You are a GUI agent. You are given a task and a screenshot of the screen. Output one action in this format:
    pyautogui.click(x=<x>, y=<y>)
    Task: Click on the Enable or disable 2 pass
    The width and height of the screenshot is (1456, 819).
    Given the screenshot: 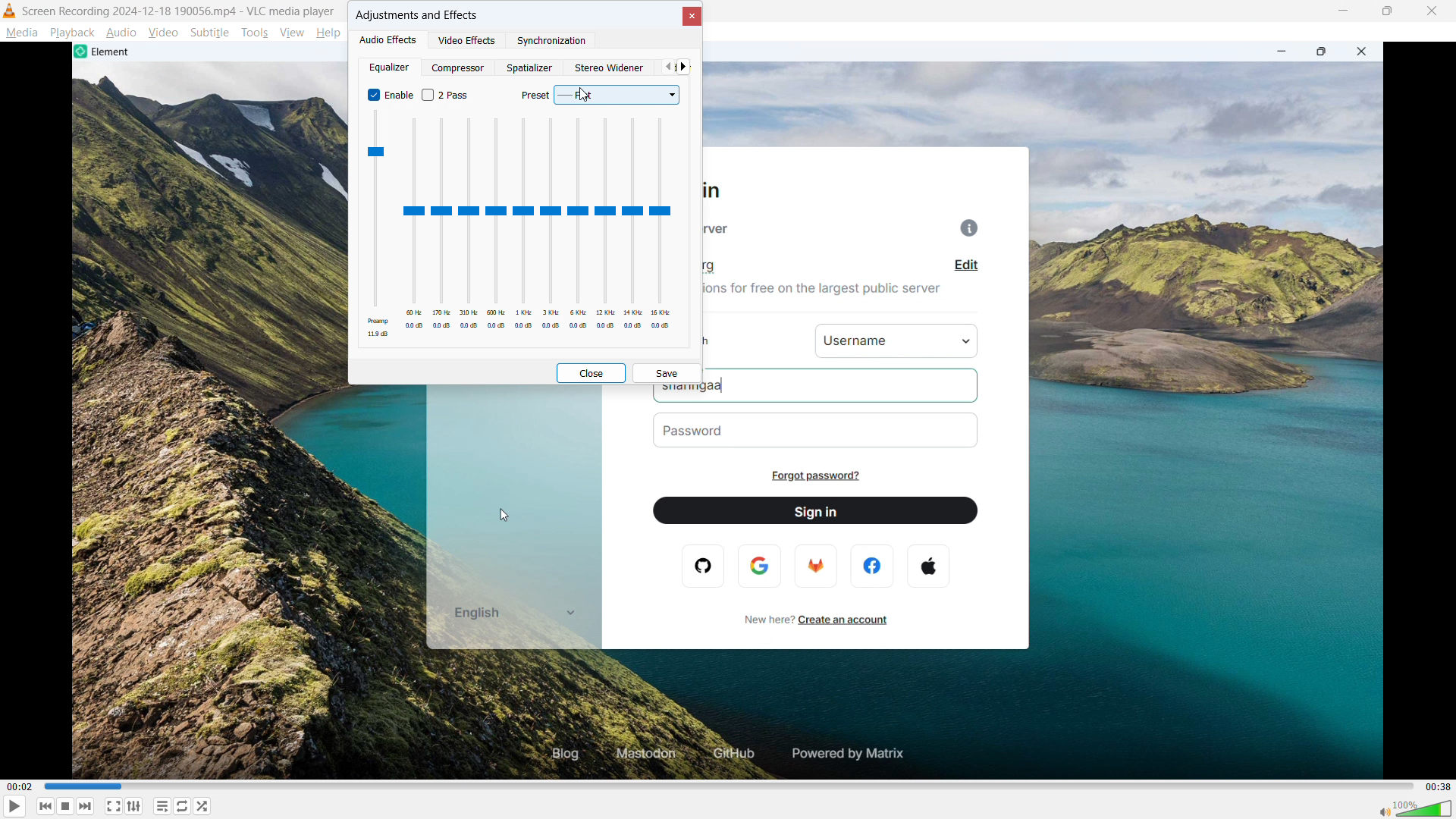 What is the action you would take?
    pyautogui.click(x=447, y=95)
    